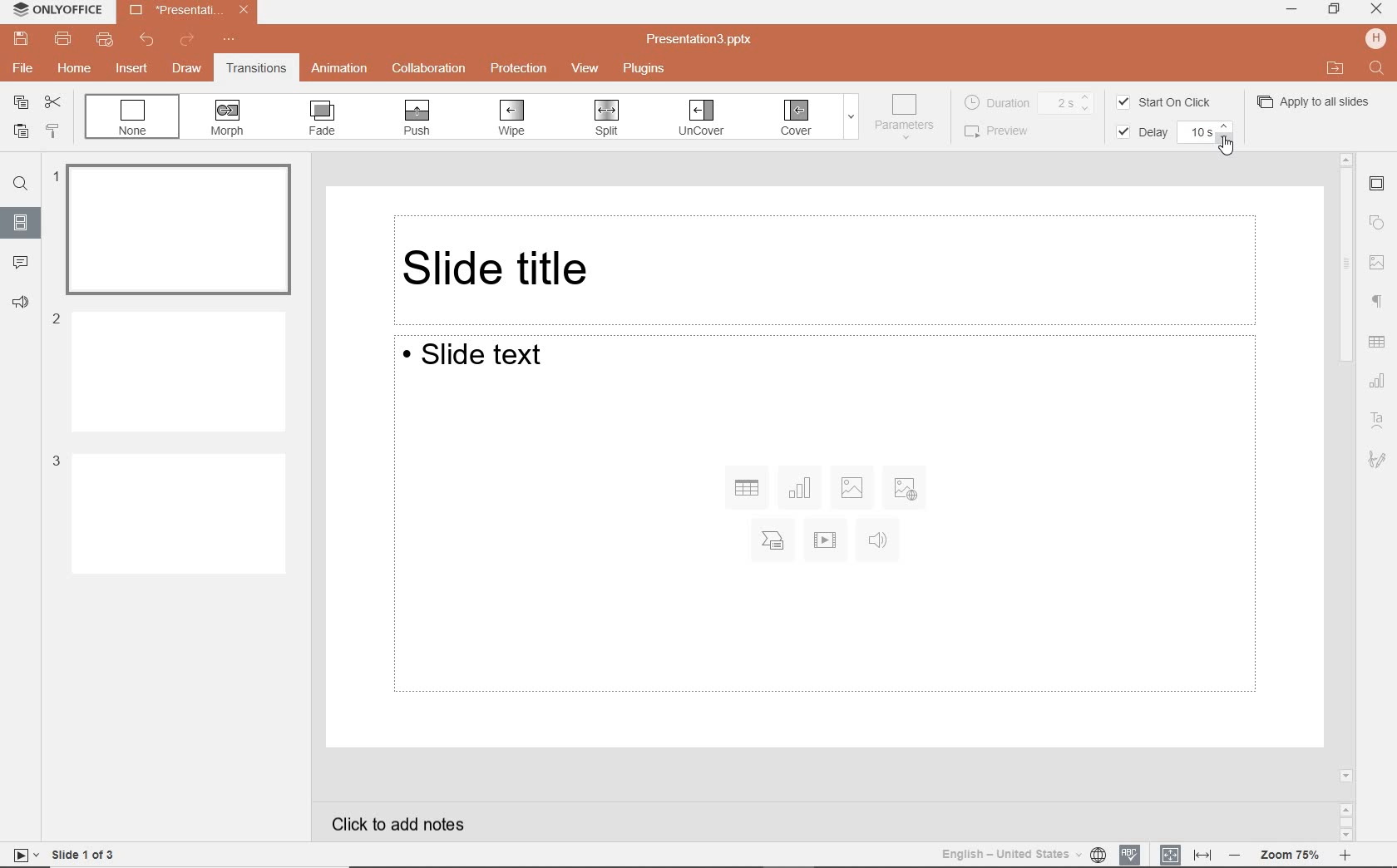 This screenshot has width=1397, height=868. Describe the element at coordinates (52, 104) in the screenshot. I see `cut` at that location.